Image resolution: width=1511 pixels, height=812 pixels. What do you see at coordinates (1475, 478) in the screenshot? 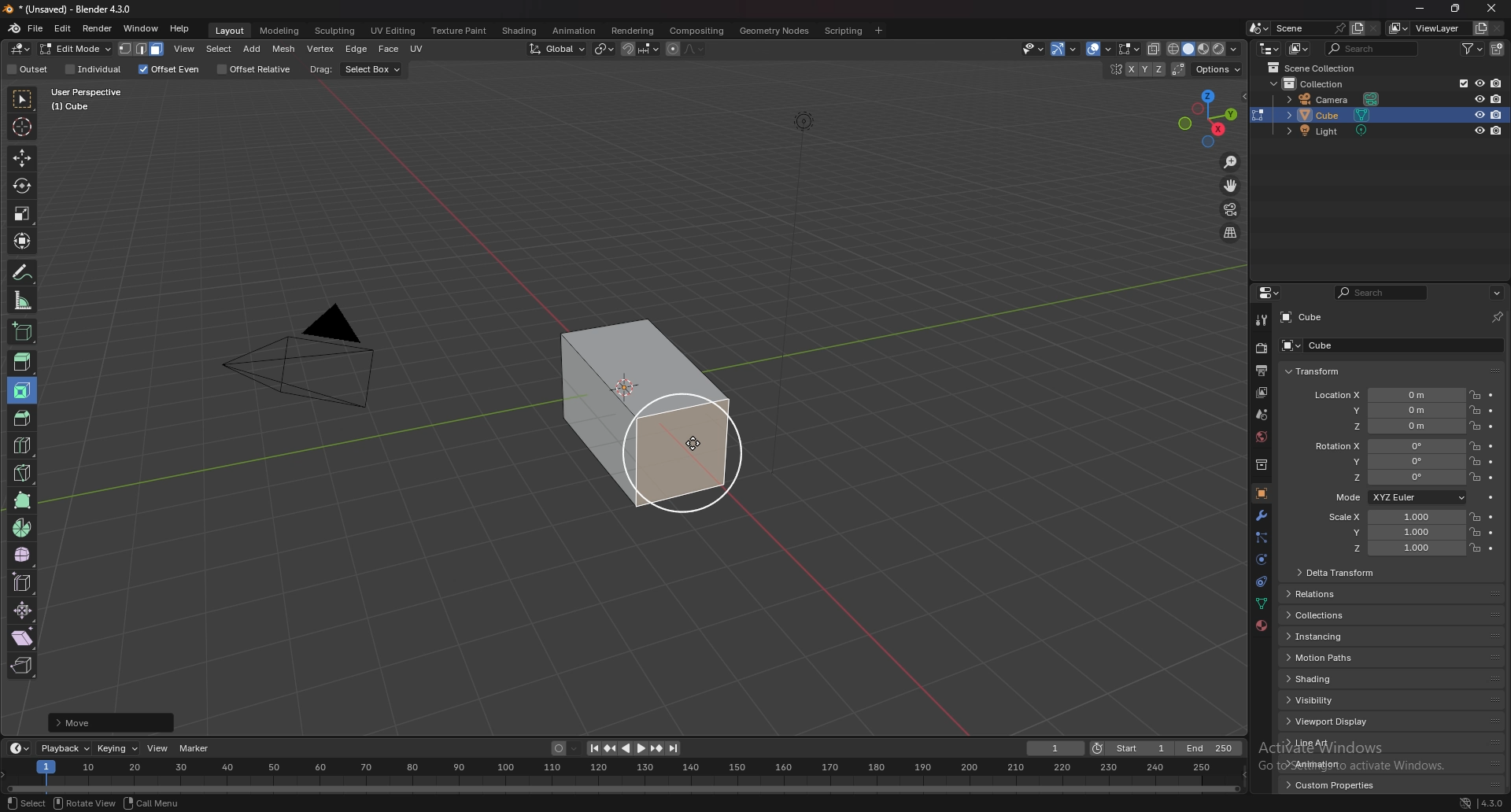
I see `lock` at bounding box center [1475, 478].